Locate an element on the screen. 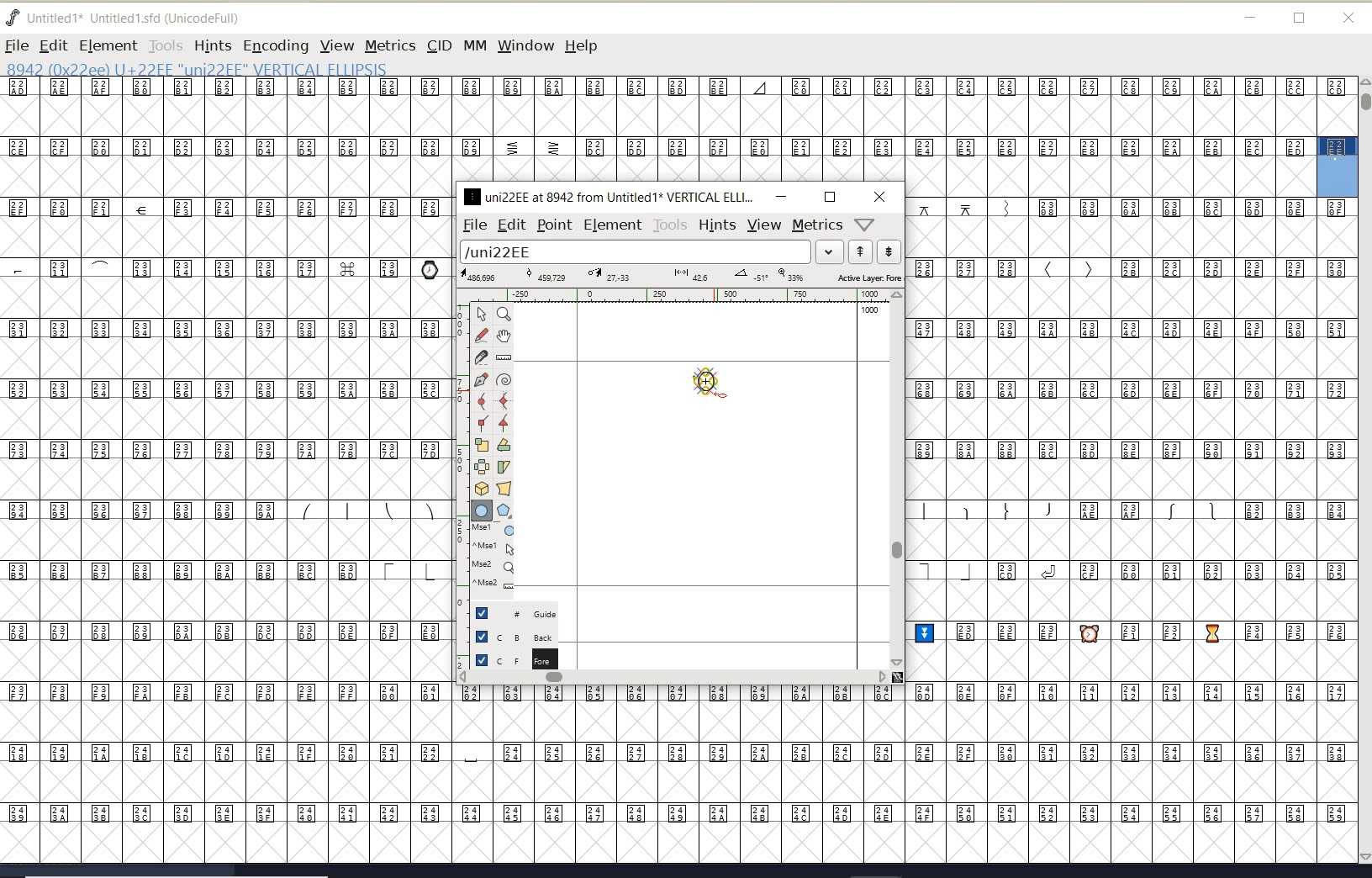  hints is located at coordinates (716, 225).